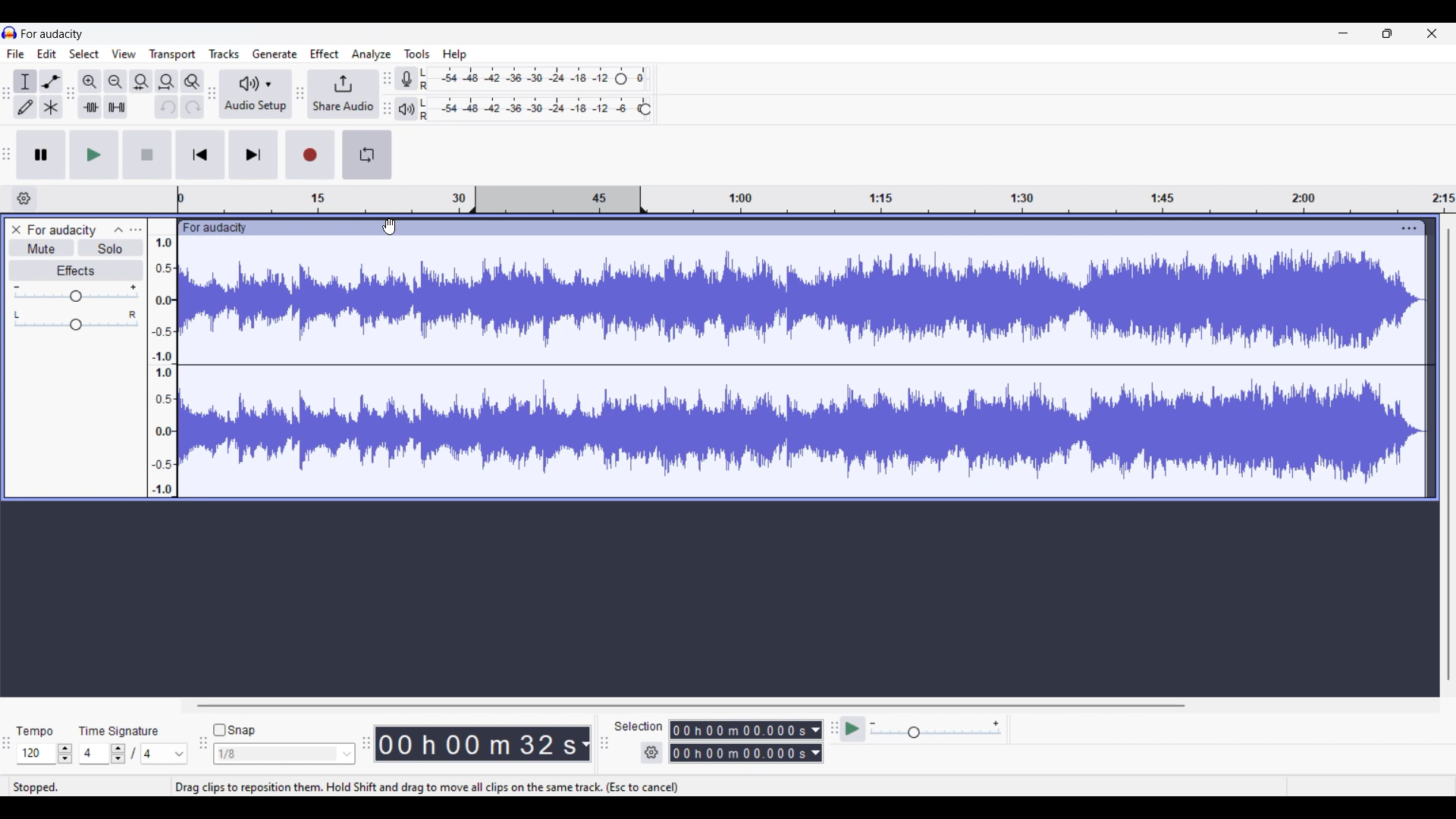 Image resolution: width=1456 pixels, height=819 pixels. What do you see at coordinates (816, 199) in the screenshot?
I see `Scale to measure track length` at bounding box center [816, 199].